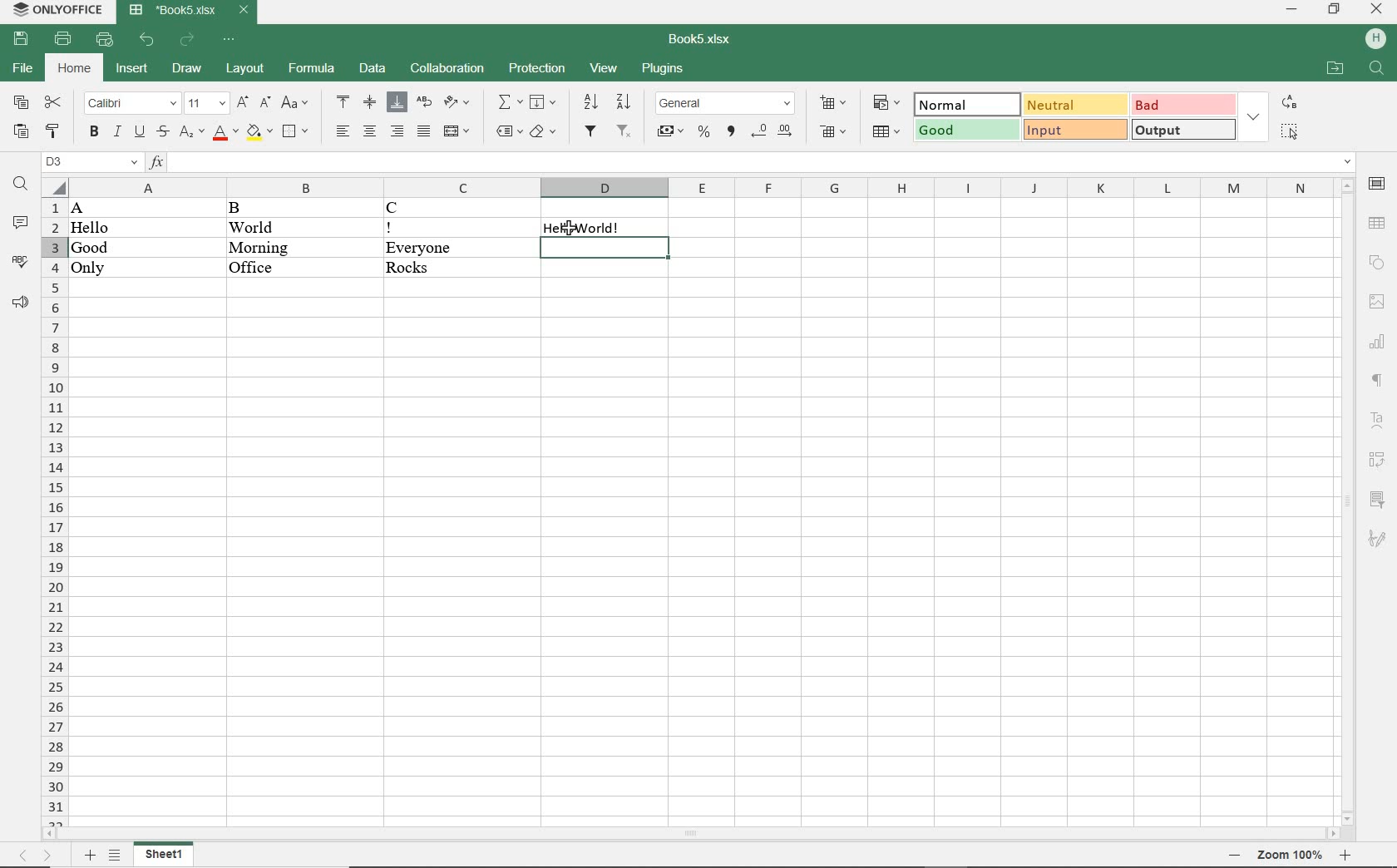 This screenshot has height=868, width=1397. What do you see at coordinates (752, 162) in the screenshot?
I see `INPUT FUNCTION` at bounding box center [752, 162].